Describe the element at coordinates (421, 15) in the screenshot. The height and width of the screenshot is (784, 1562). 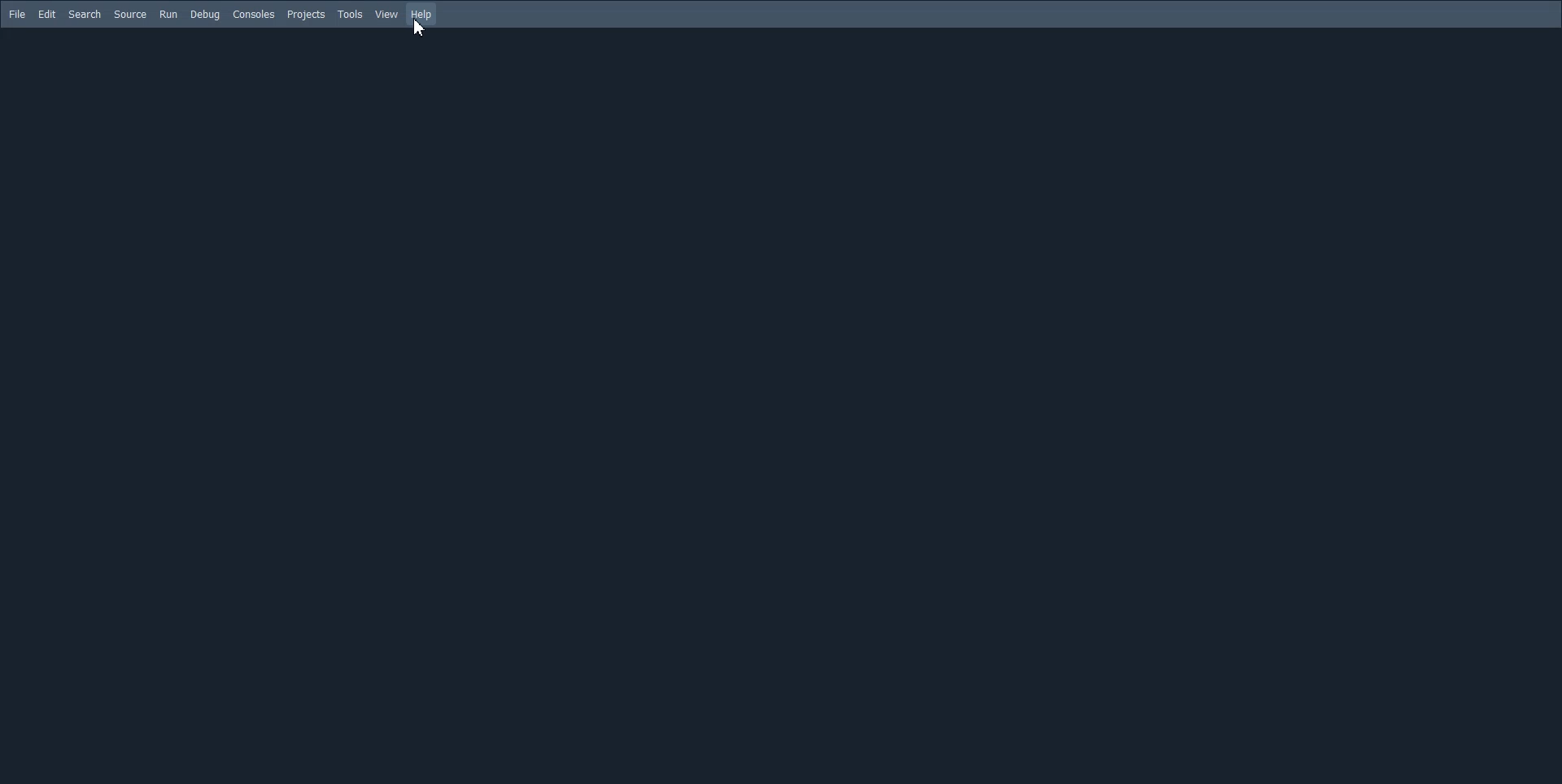
I see `Help` at that location.